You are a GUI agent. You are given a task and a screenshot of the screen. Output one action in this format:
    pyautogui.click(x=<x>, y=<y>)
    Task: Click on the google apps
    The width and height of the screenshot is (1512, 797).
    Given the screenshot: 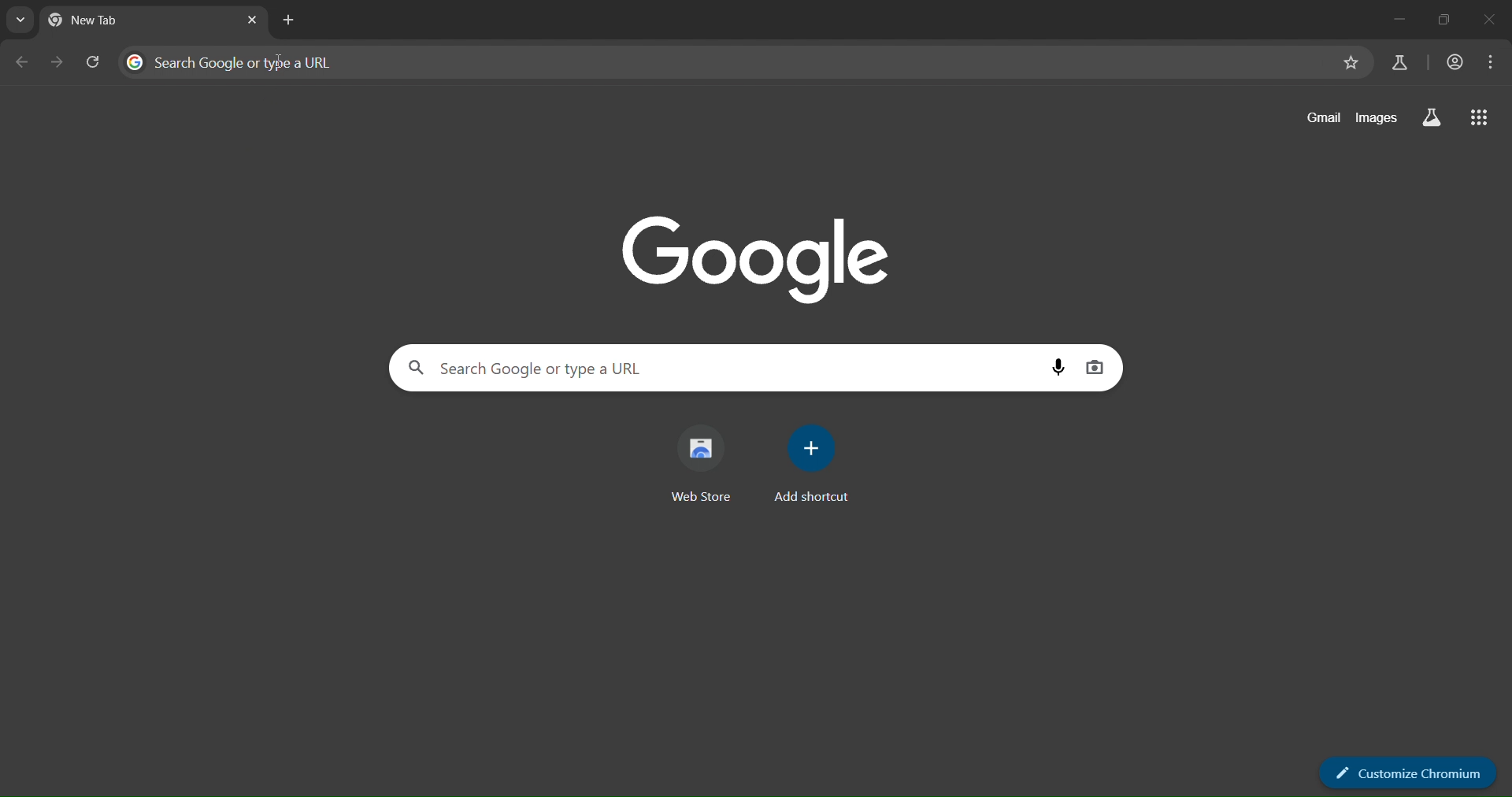 What is the action you would take?
    pyautogui.click(x=1480, y=117)
    